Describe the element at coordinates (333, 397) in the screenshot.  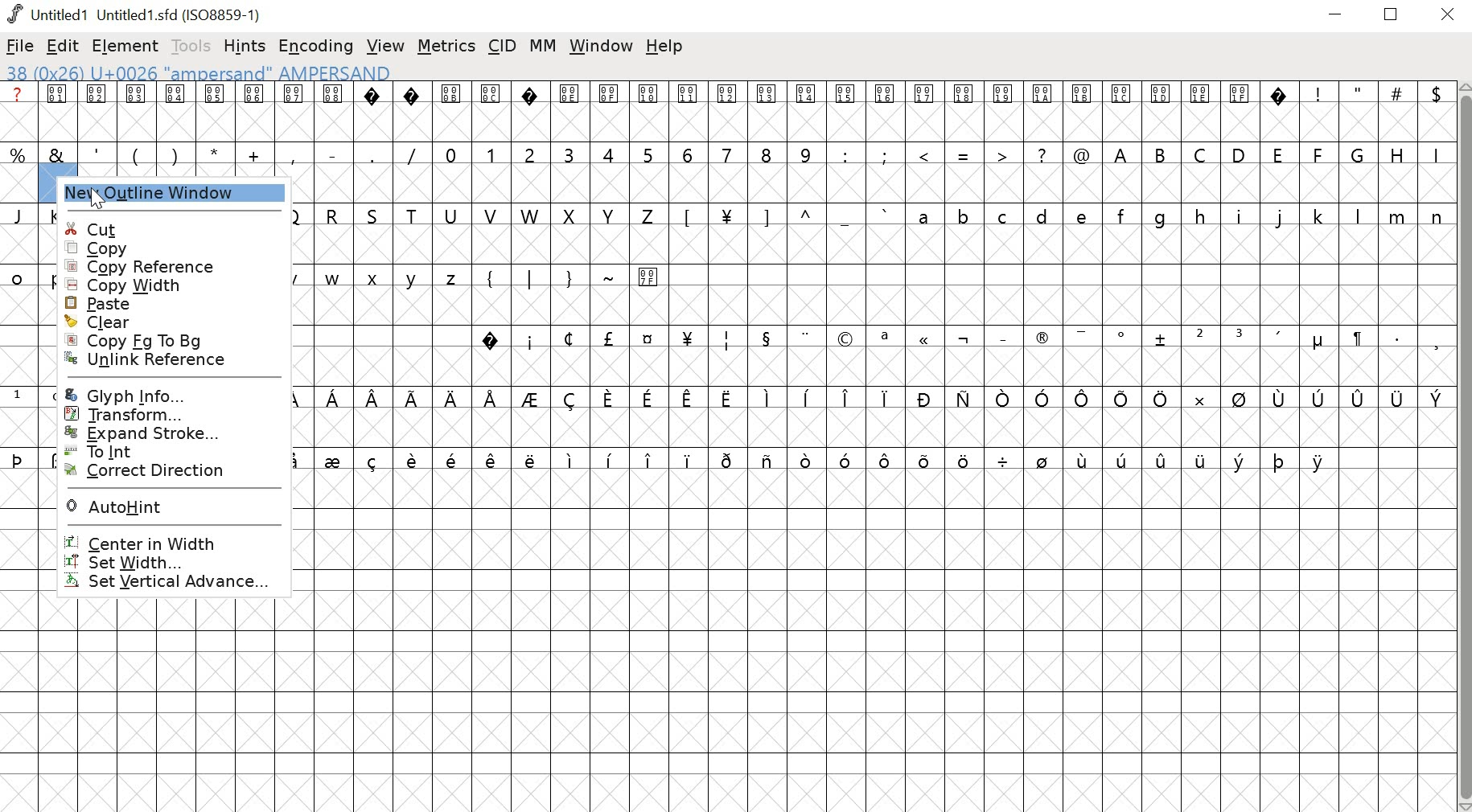
I see `symbol` at that location.